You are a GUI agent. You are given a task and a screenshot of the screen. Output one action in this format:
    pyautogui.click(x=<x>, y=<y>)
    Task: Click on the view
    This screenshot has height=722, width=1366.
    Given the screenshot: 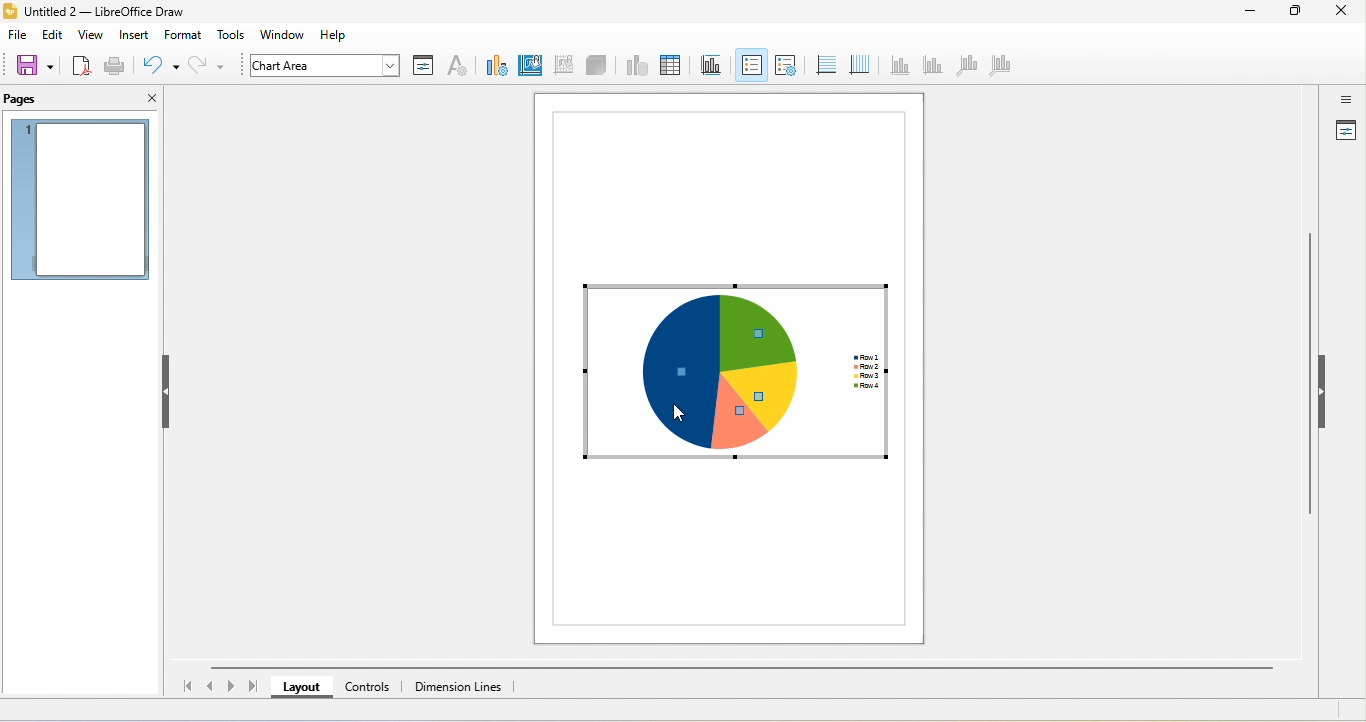 What is the action you would take?
    pyautogui.click(x=91, y=36)
    